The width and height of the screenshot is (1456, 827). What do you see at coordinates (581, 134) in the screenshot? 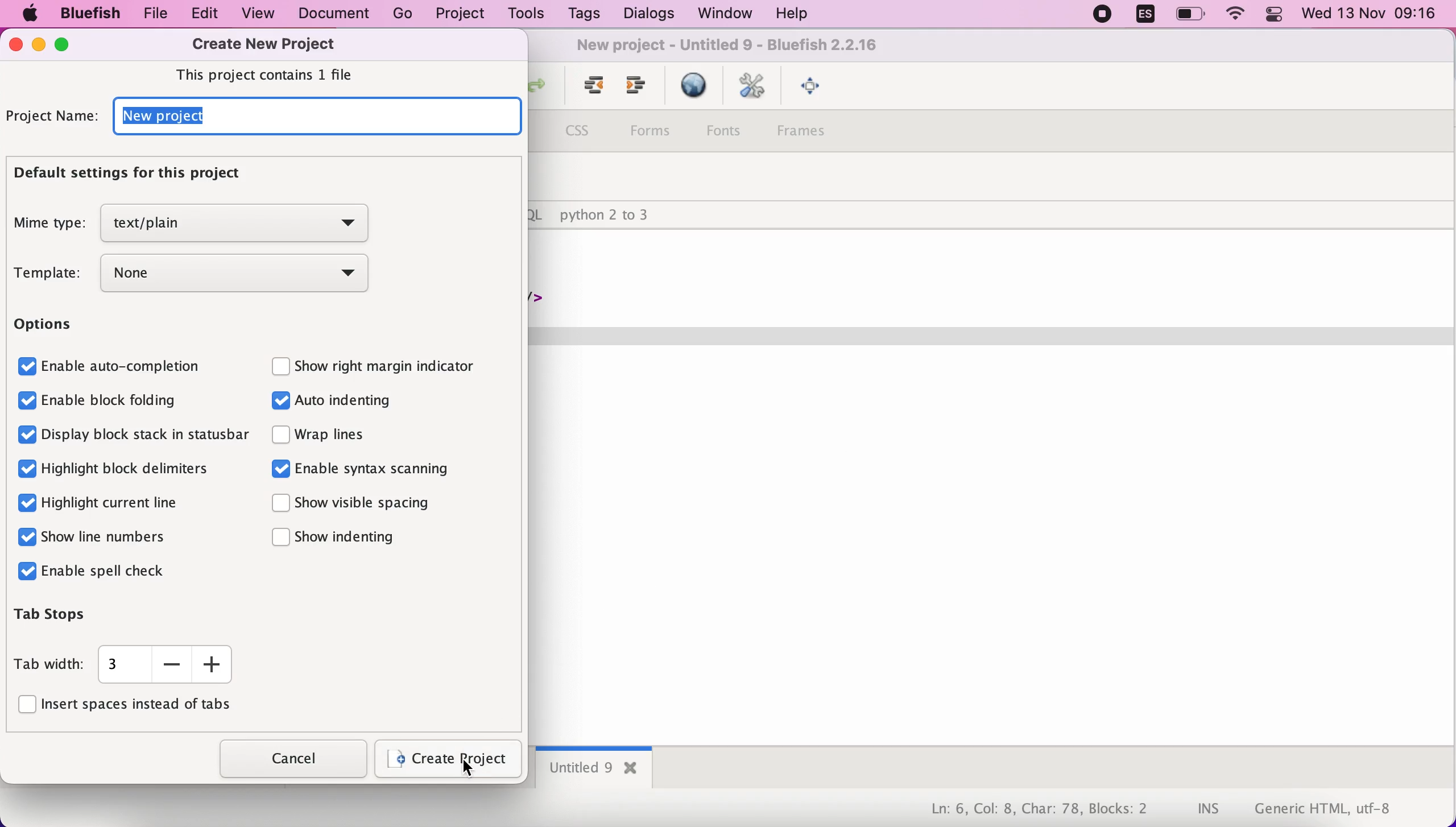
I see `css` at bounding box center [581, 134].